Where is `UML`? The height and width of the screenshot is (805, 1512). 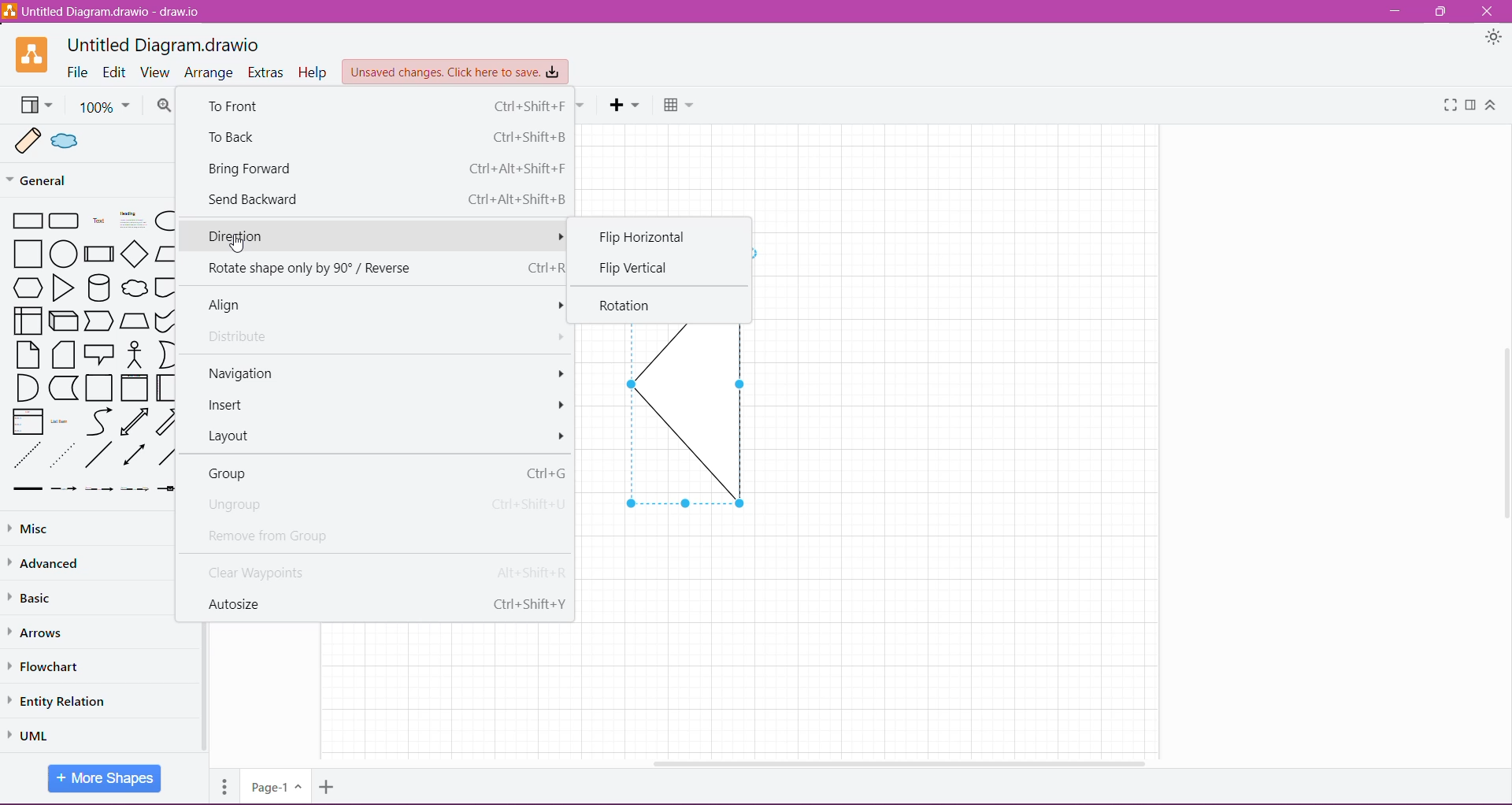
UML is located at coordinates (31, 733).